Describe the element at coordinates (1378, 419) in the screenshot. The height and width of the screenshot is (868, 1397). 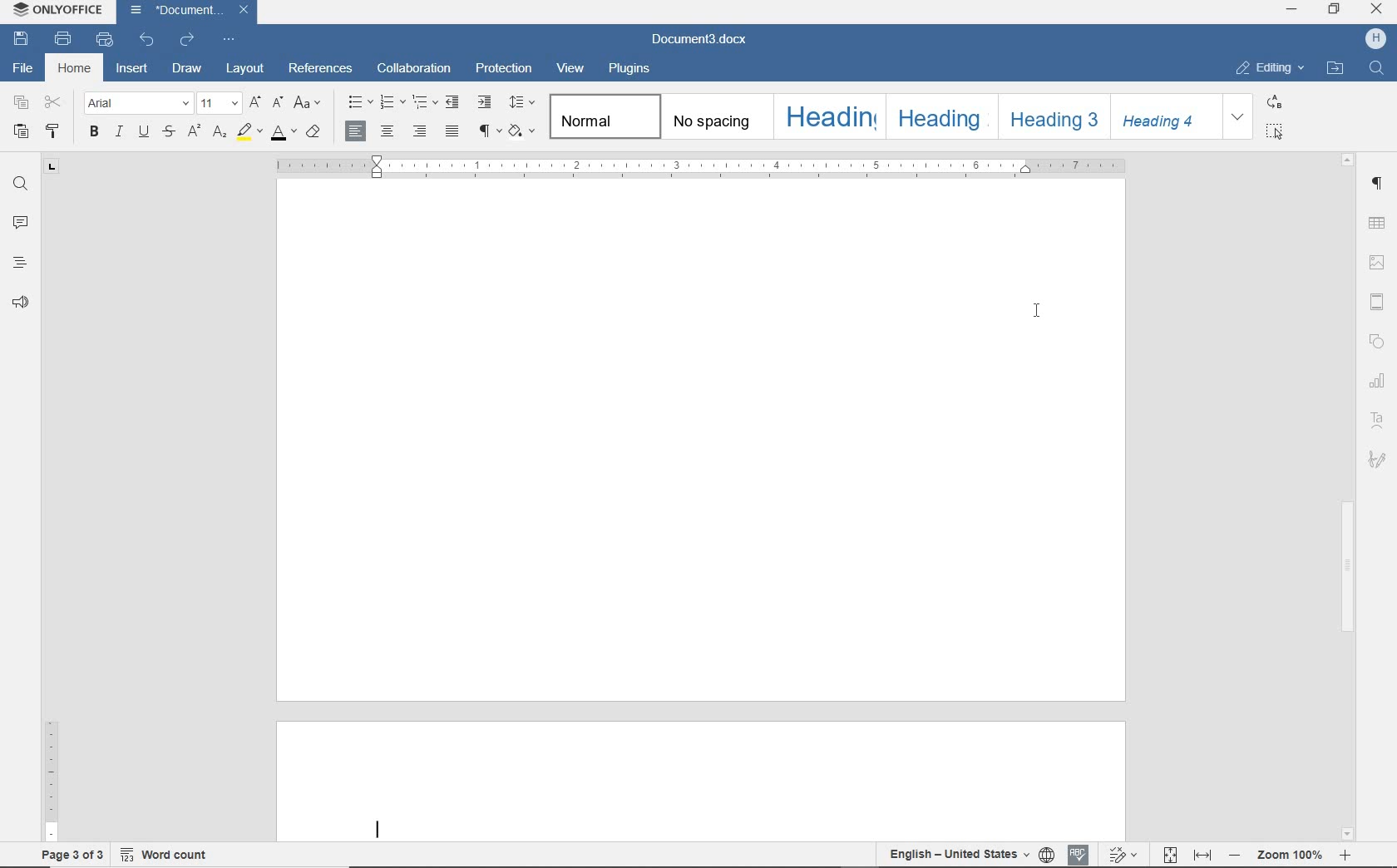
I see `Text art` at that location.